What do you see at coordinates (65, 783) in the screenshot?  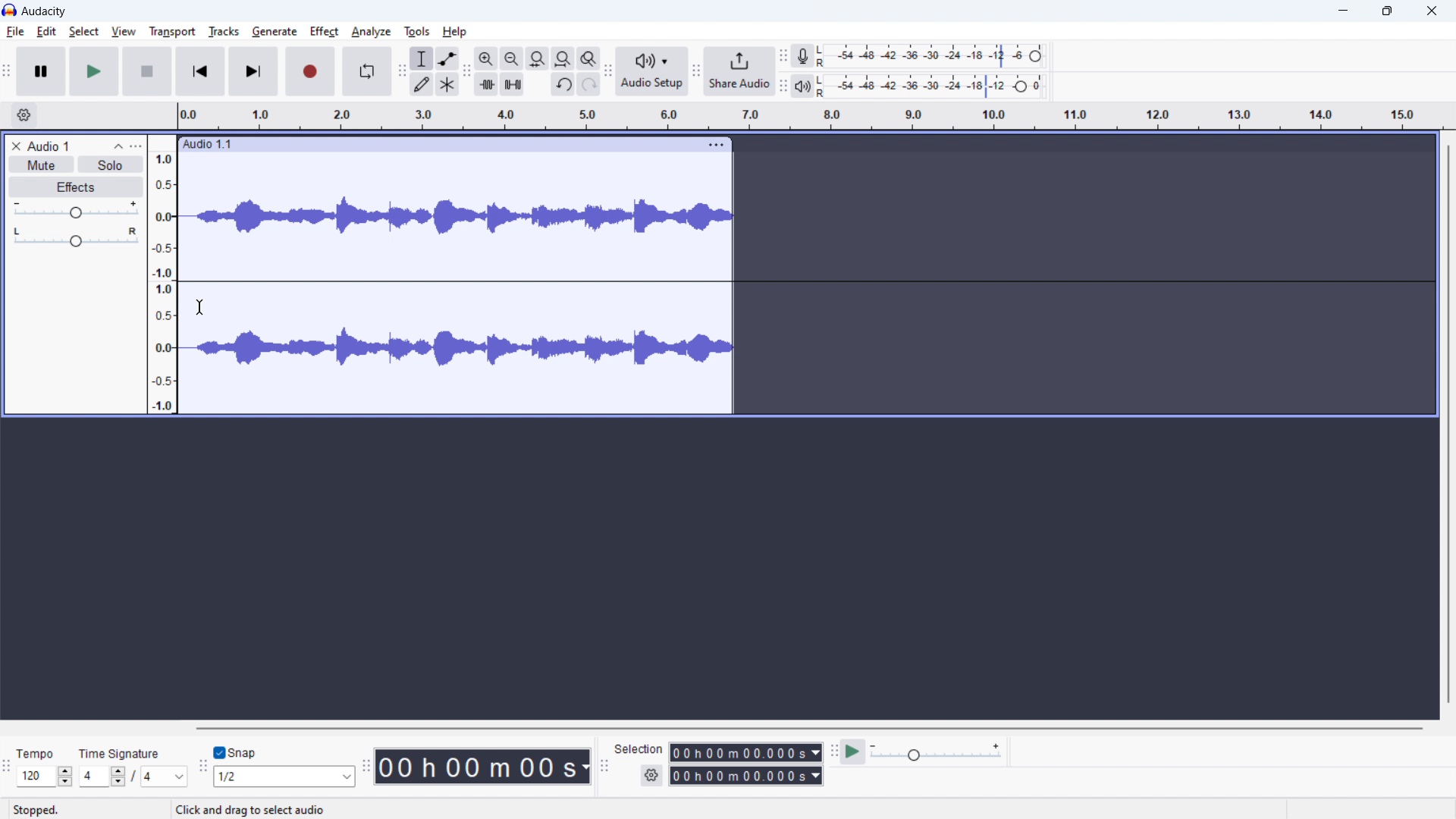 I see `decrease tempo` at bounding box center [65, 783].